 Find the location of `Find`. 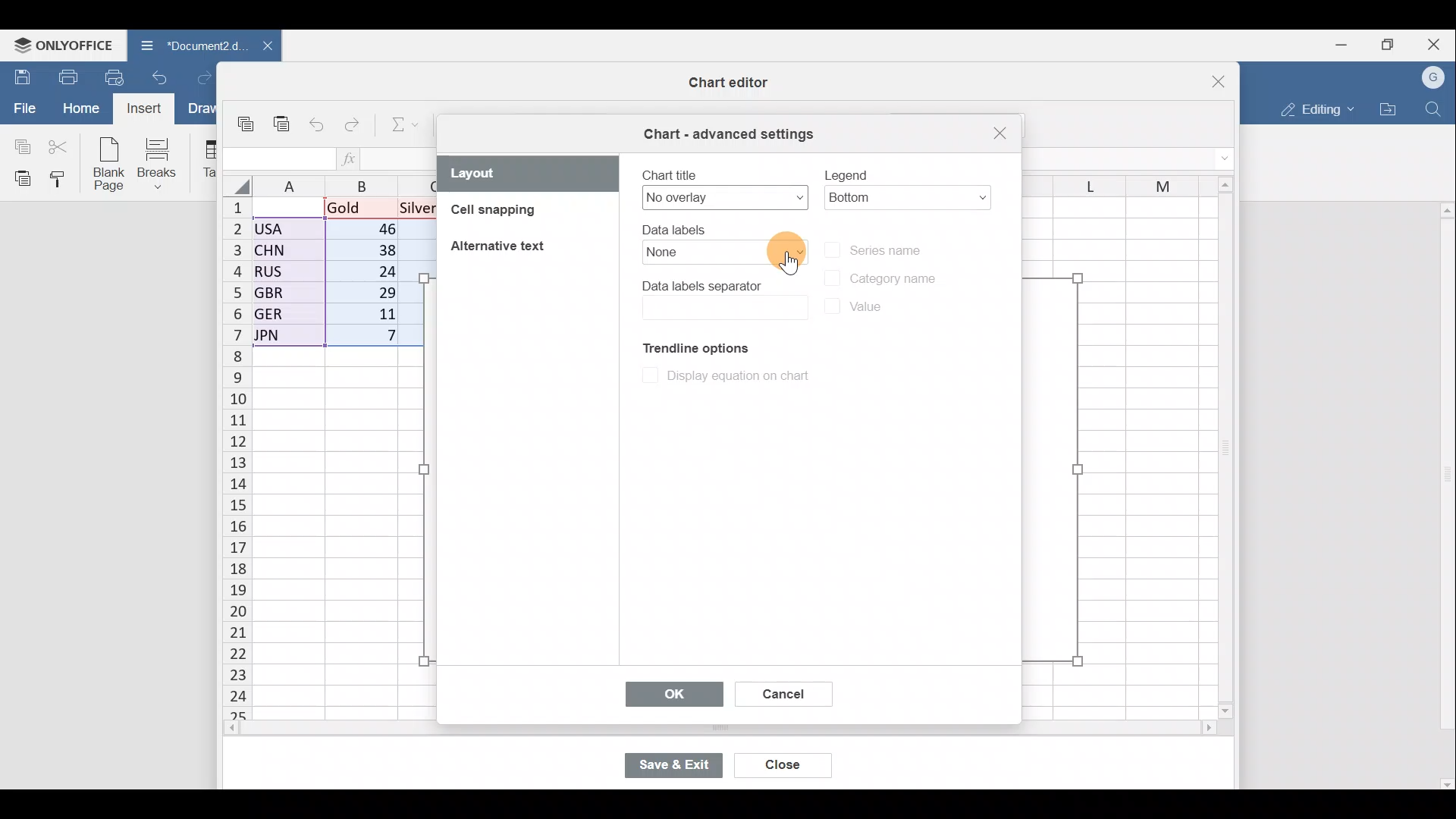

Find is located at coordinates (1436, 106).